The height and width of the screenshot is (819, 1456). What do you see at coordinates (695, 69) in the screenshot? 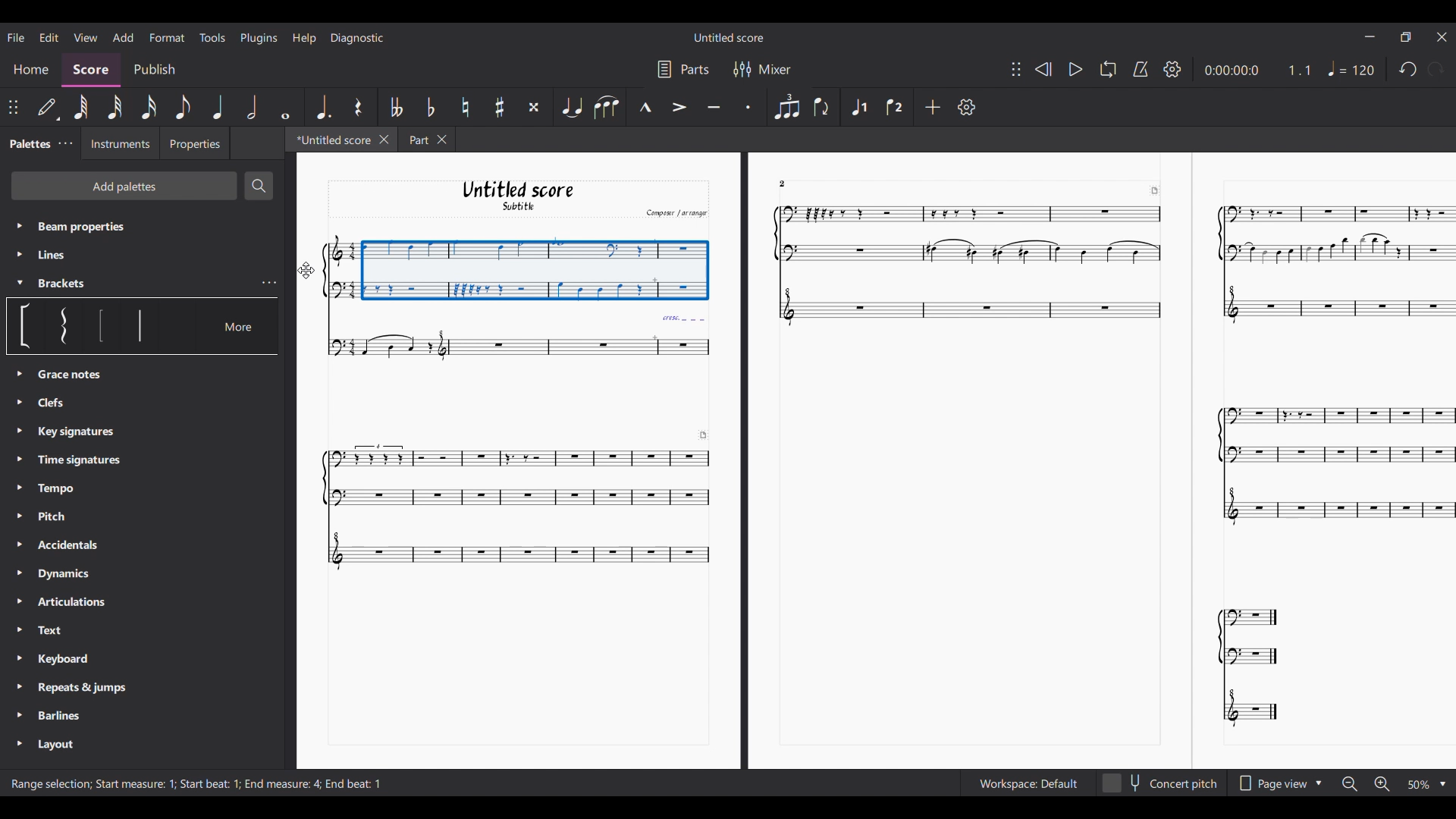
I see `Parts` at bounding box center [695, 69].